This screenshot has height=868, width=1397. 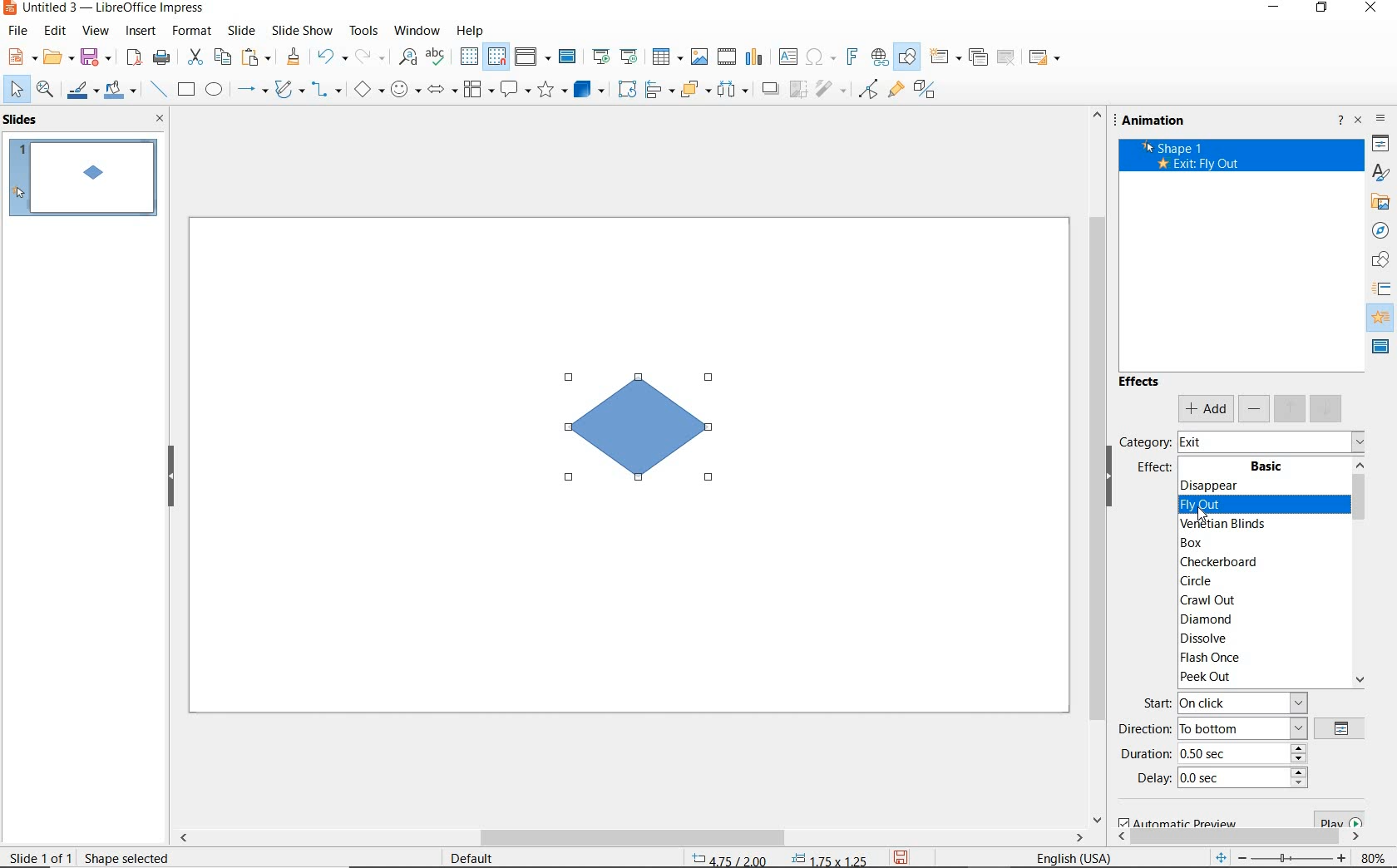 I want to click on tools, so click(x=365, y=32).